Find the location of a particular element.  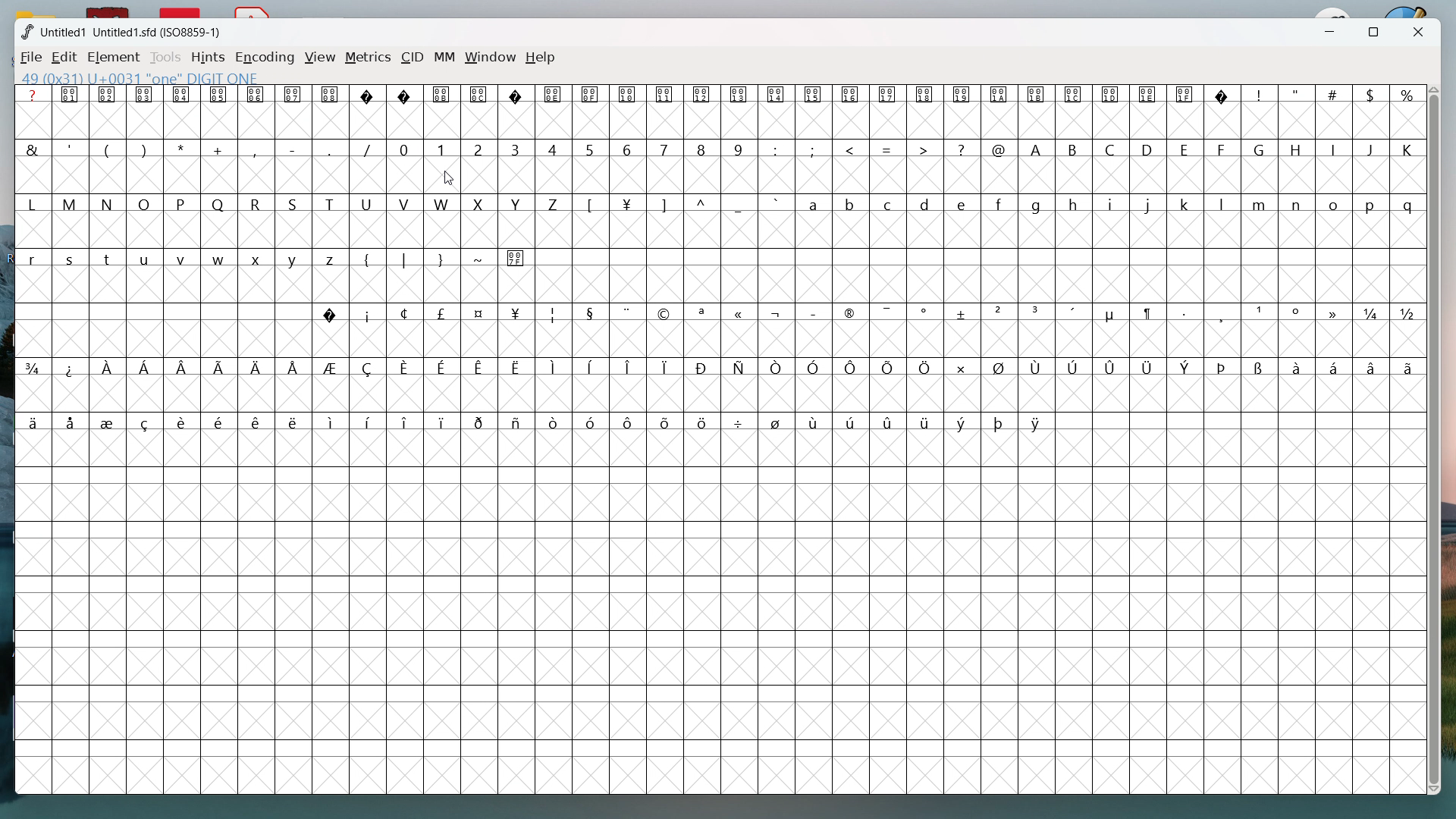

symbol is located at coordinates (591, 312).